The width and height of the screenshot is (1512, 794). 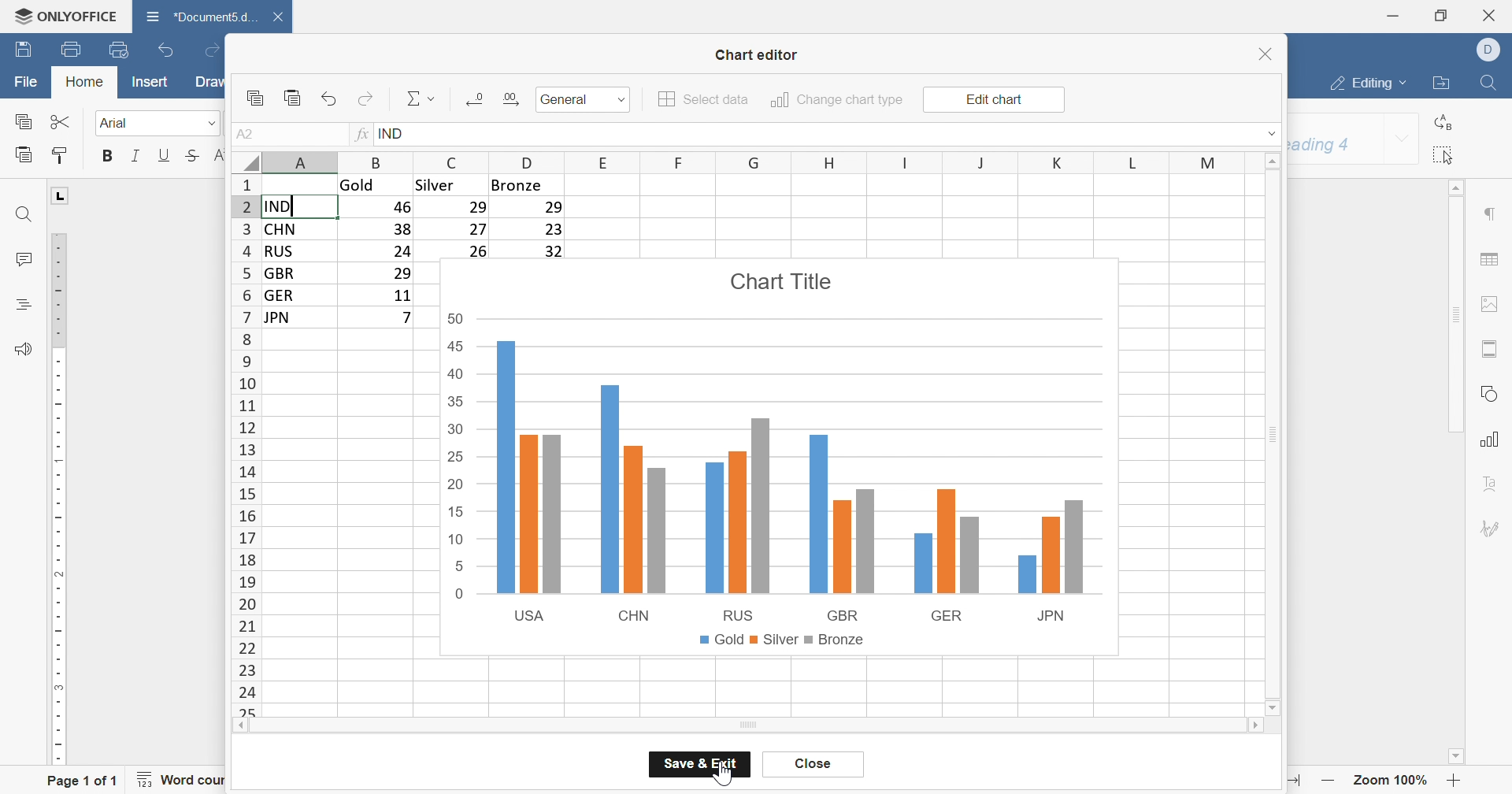 What do you see at coordinates (24, 213) in the screenshot?
I see `find` at bounding box center [24, 213].